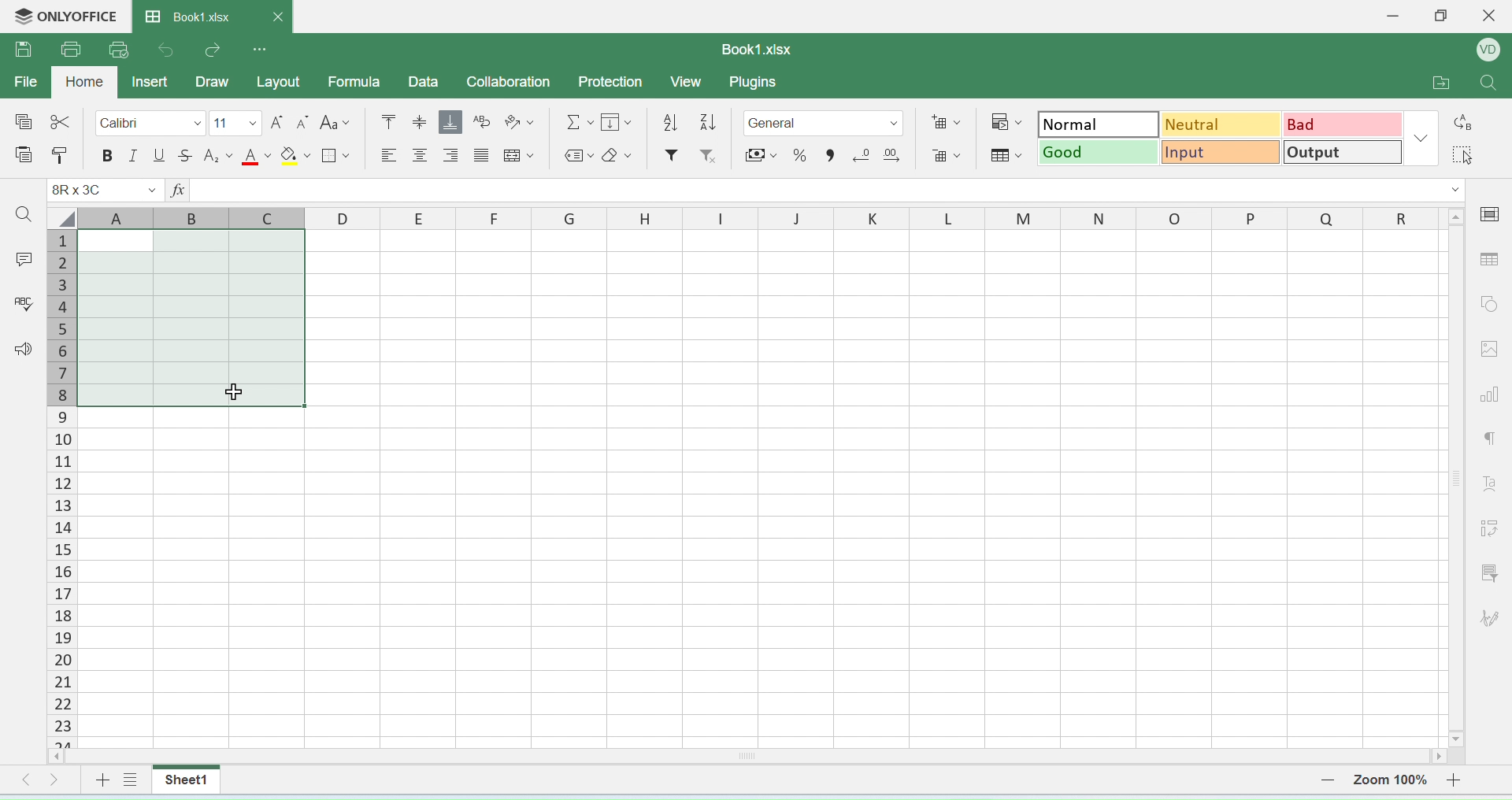 Image resolution: width=1512 pixels, height=800 pixels. Describe the element at coordinates (1004, 119) in the screenshot. I see `conditional formatting` at that location.